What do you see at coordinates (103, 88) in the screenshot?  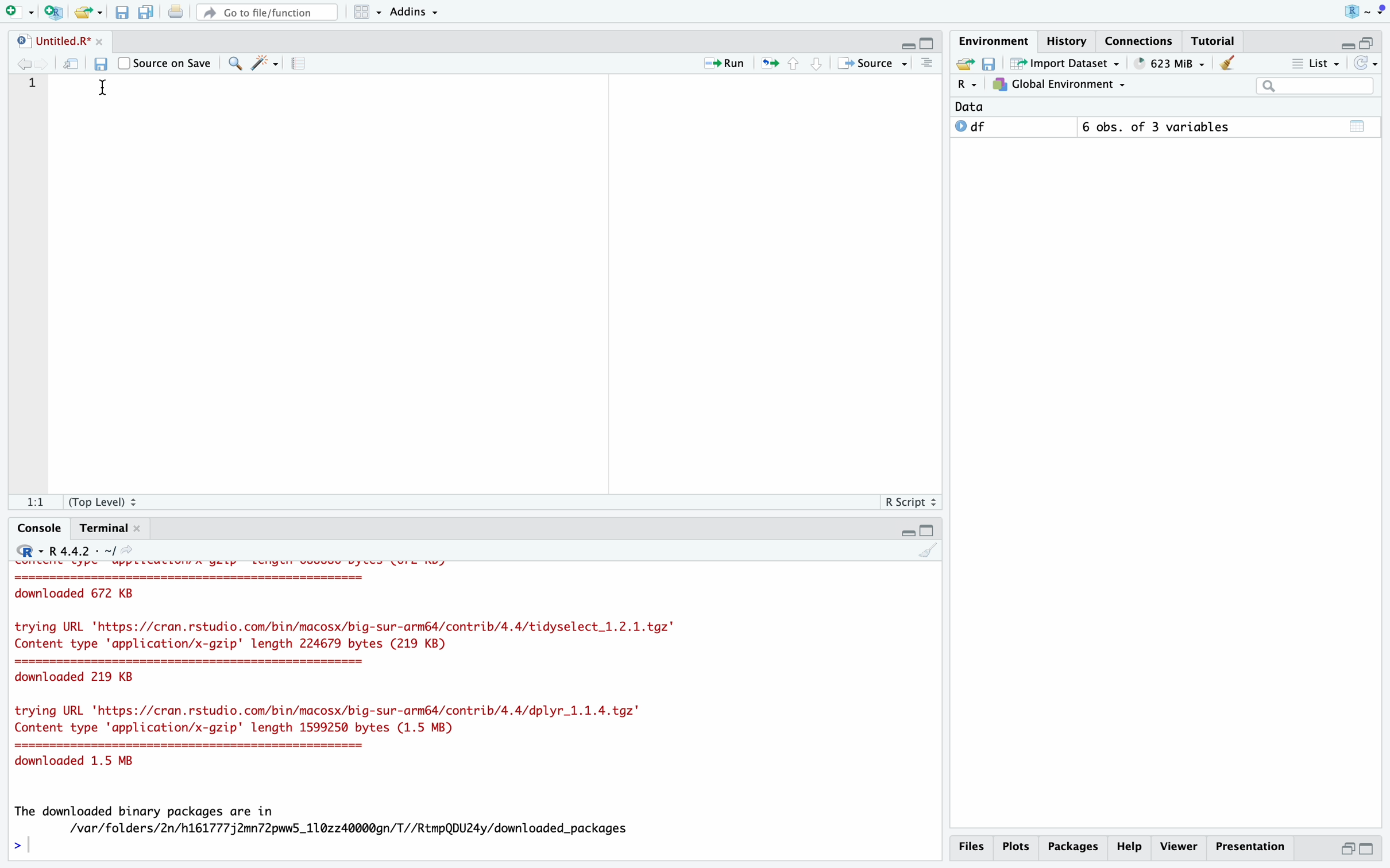 I see `Mouse Cursor` at bounding box center [103, 88].